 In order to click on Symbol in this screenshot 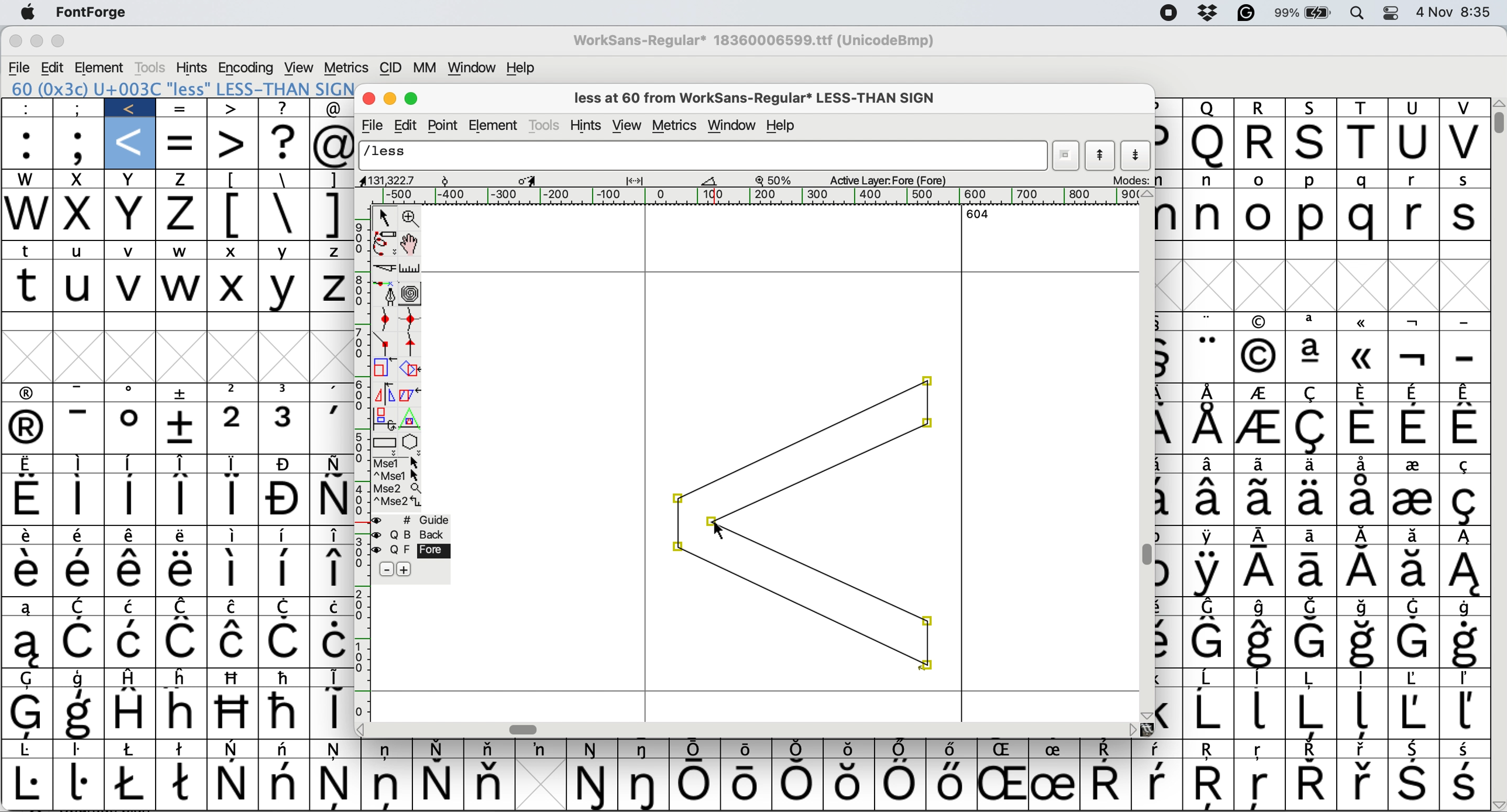, I will do `click(440, 748)`.